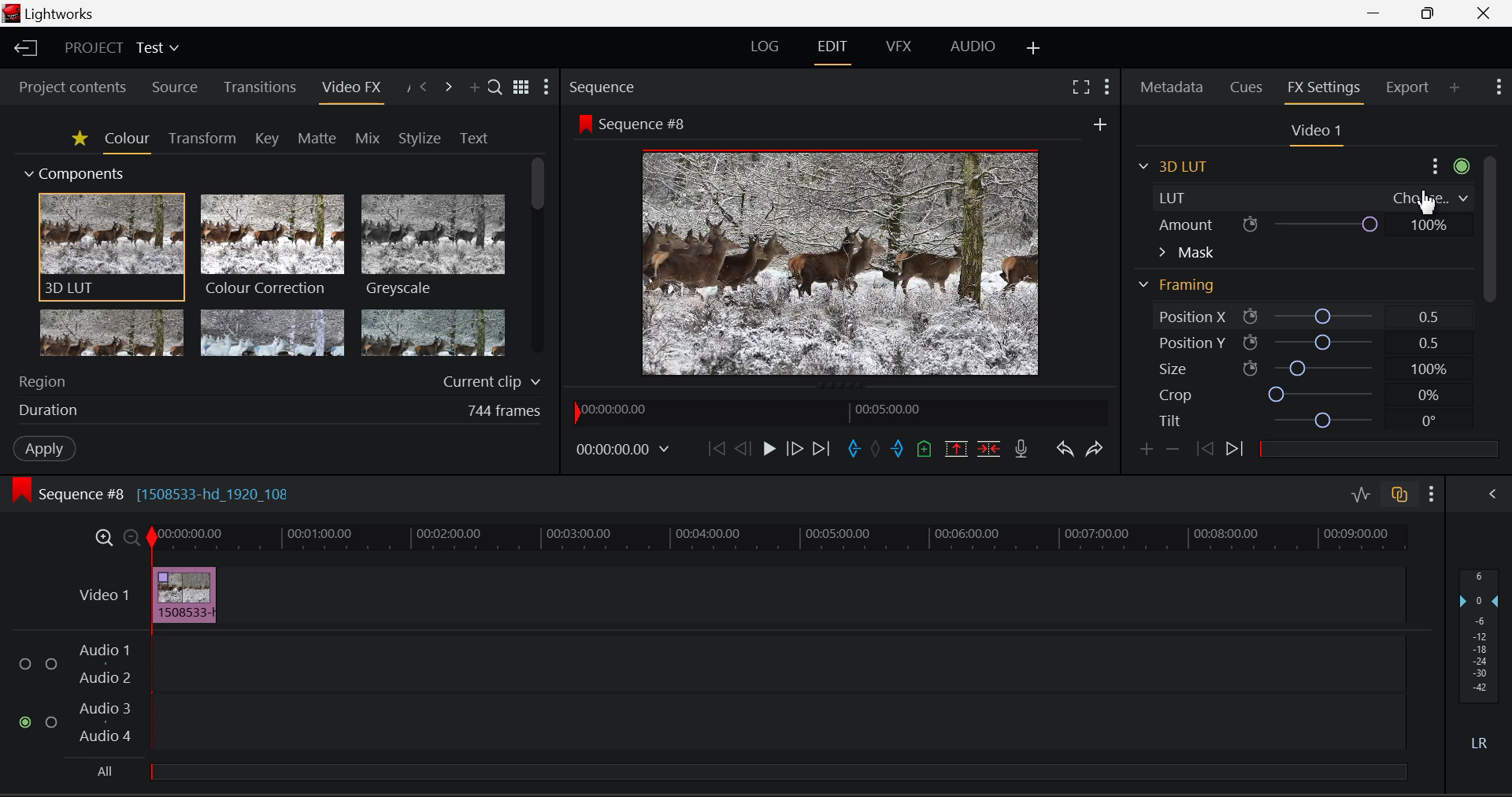 This screenshot has width=1512, height=797. Describe the element at coordinates (1426, 201) in the screenshot. I see `Cursor Position` at that location.